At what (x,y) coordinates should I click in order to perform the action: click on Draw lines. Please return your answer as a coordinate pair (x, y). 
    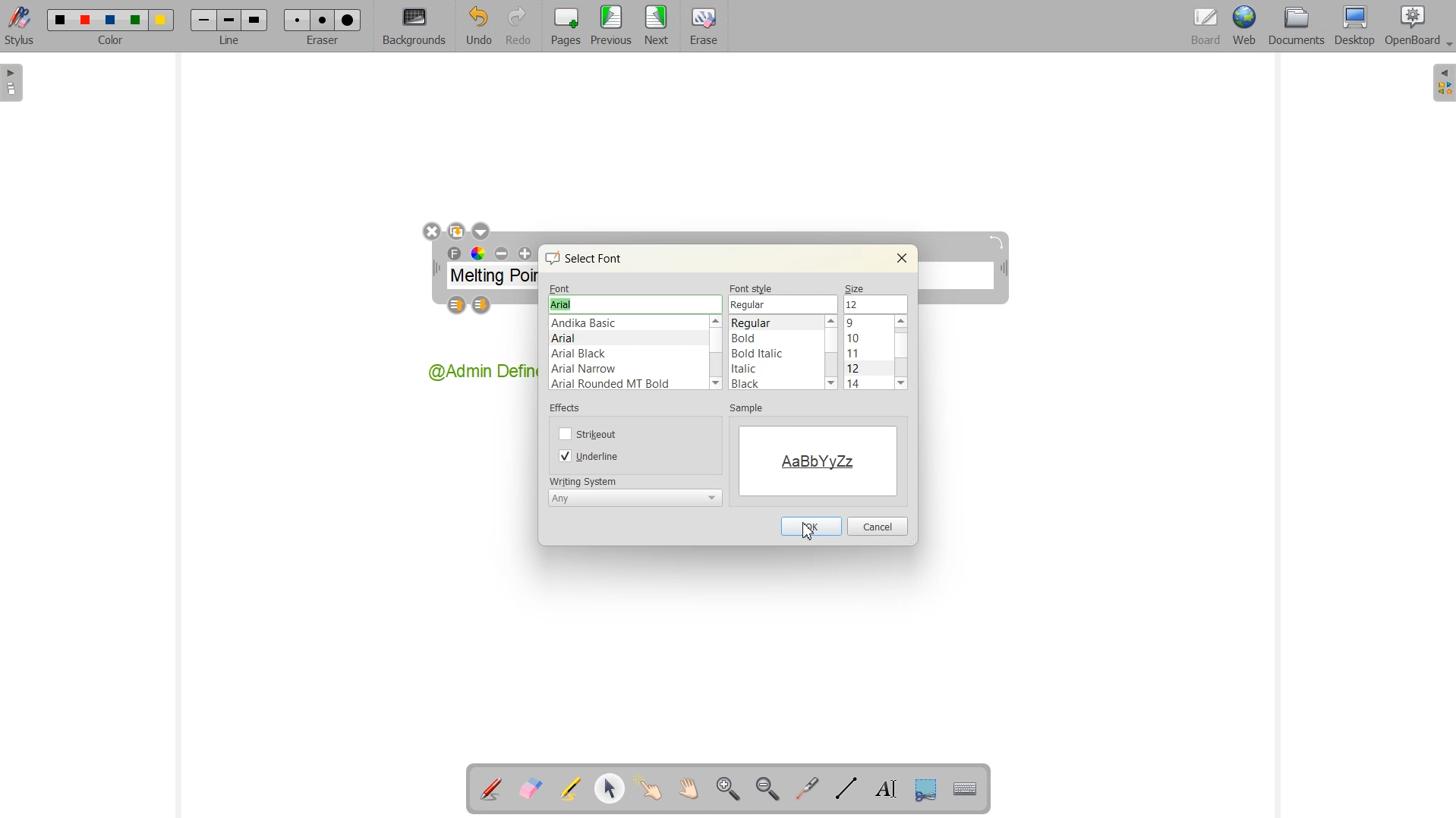
    Looking at the image, I should click on (846, 788).